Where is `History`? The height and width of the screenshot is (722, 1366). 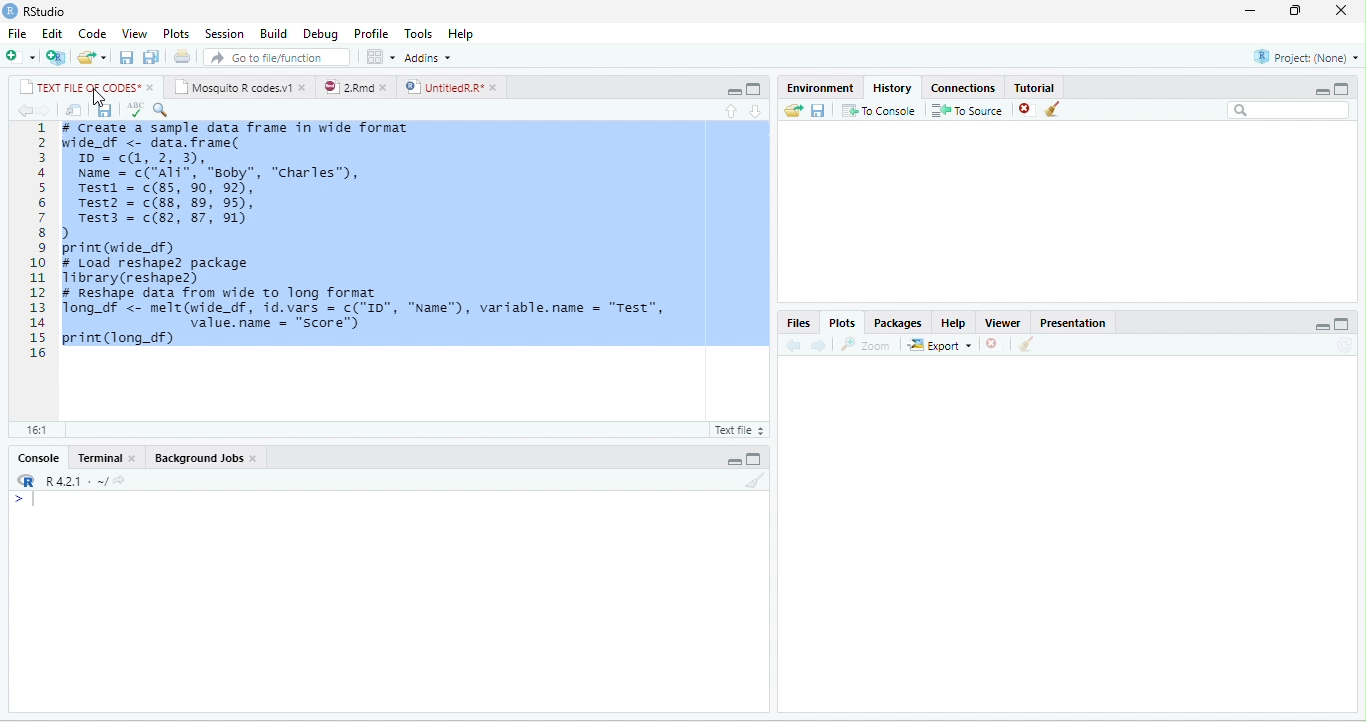
History is located at coordinates (892, 88).